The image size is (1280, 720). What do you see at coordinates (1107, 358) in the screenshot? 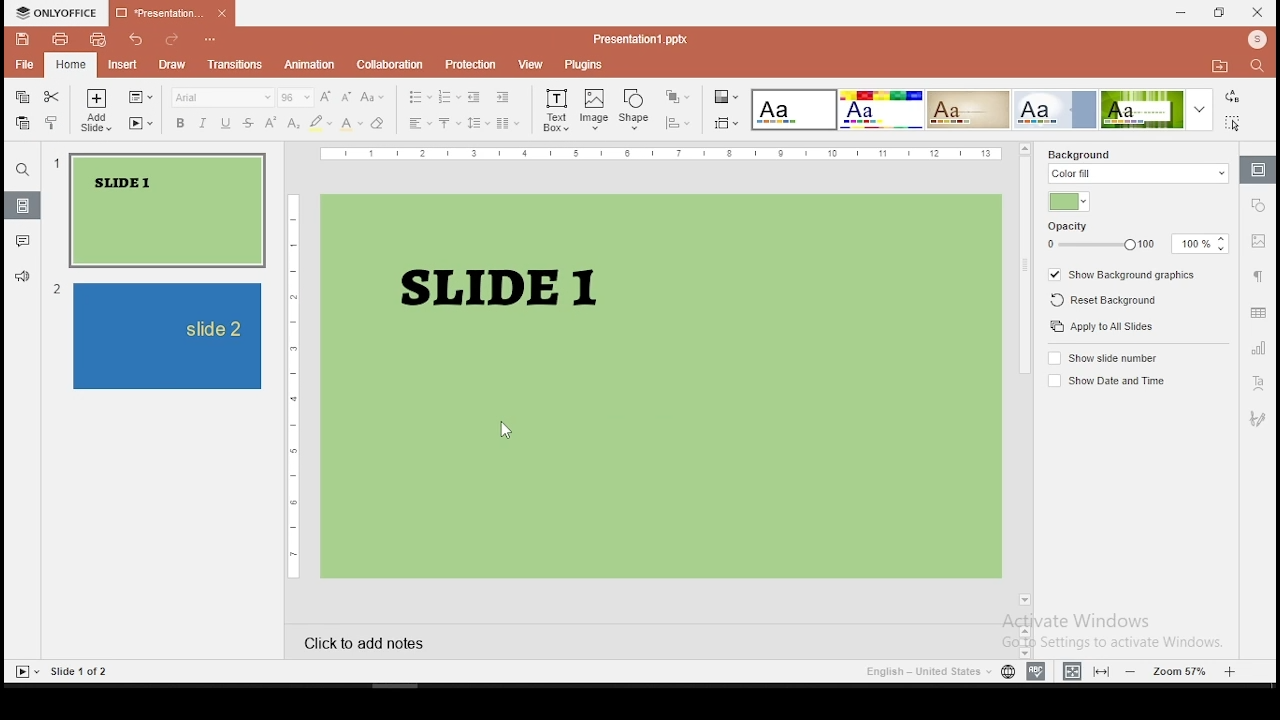
I see `show slide number` at bounding box center [1107, 358].